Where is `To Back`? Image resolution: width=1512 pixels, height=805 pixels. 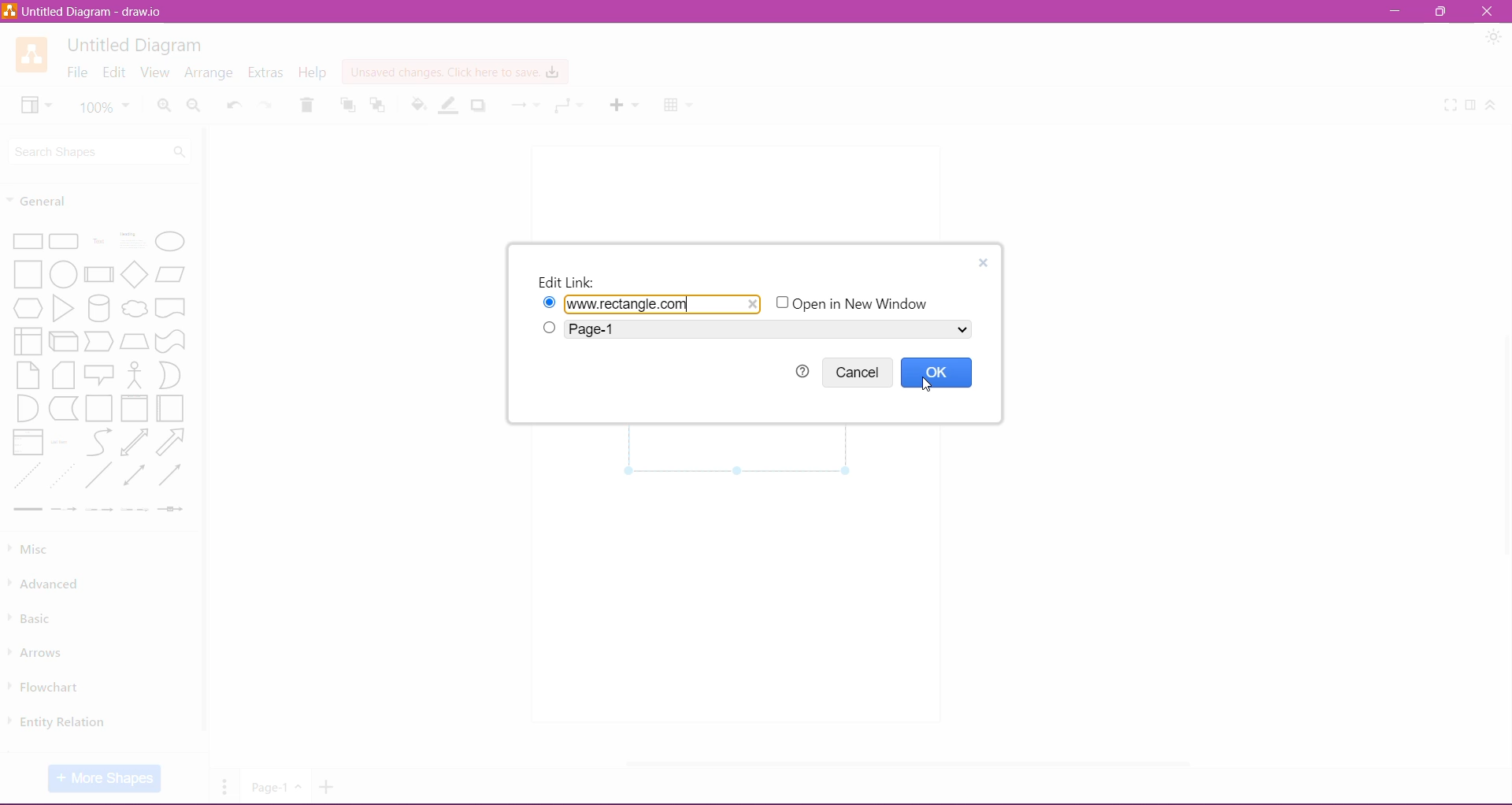 To Back is located at coordinates (379, 106).